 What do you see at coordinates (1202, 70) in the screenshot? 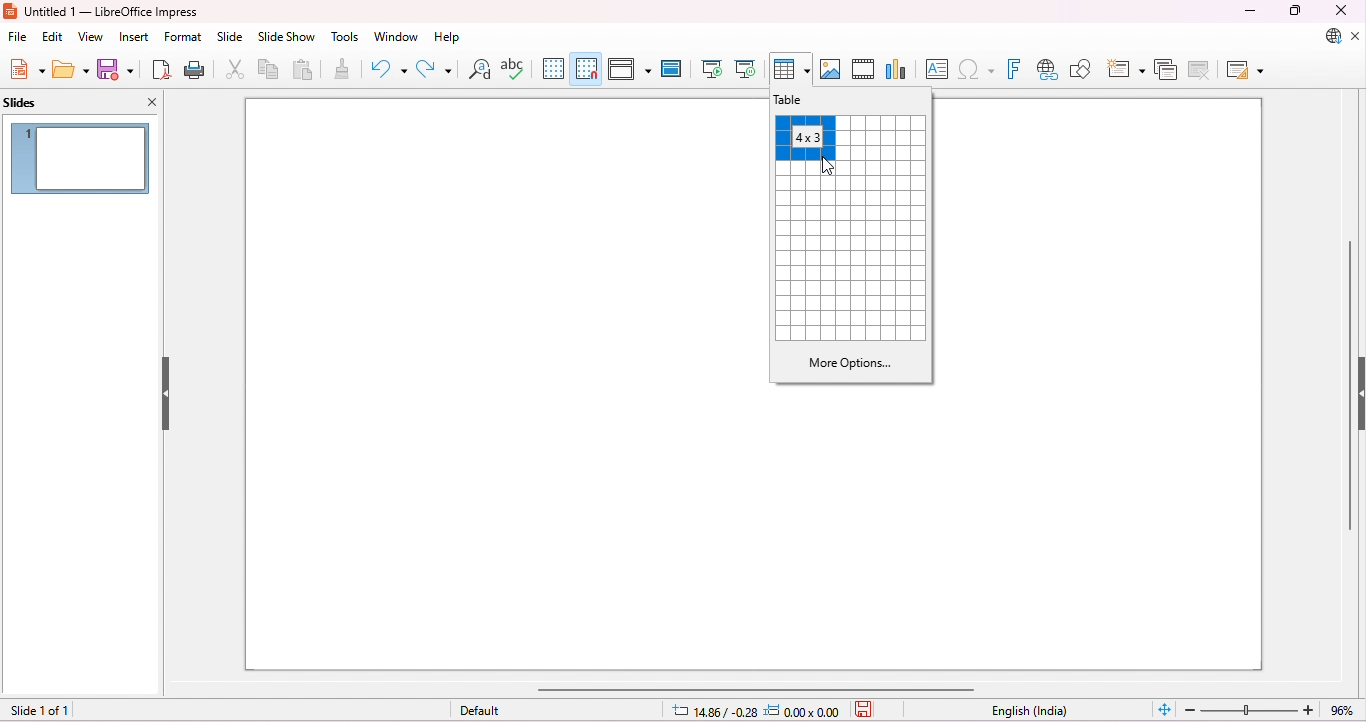
I see `delete slide` at bounding box center [1202, 70].